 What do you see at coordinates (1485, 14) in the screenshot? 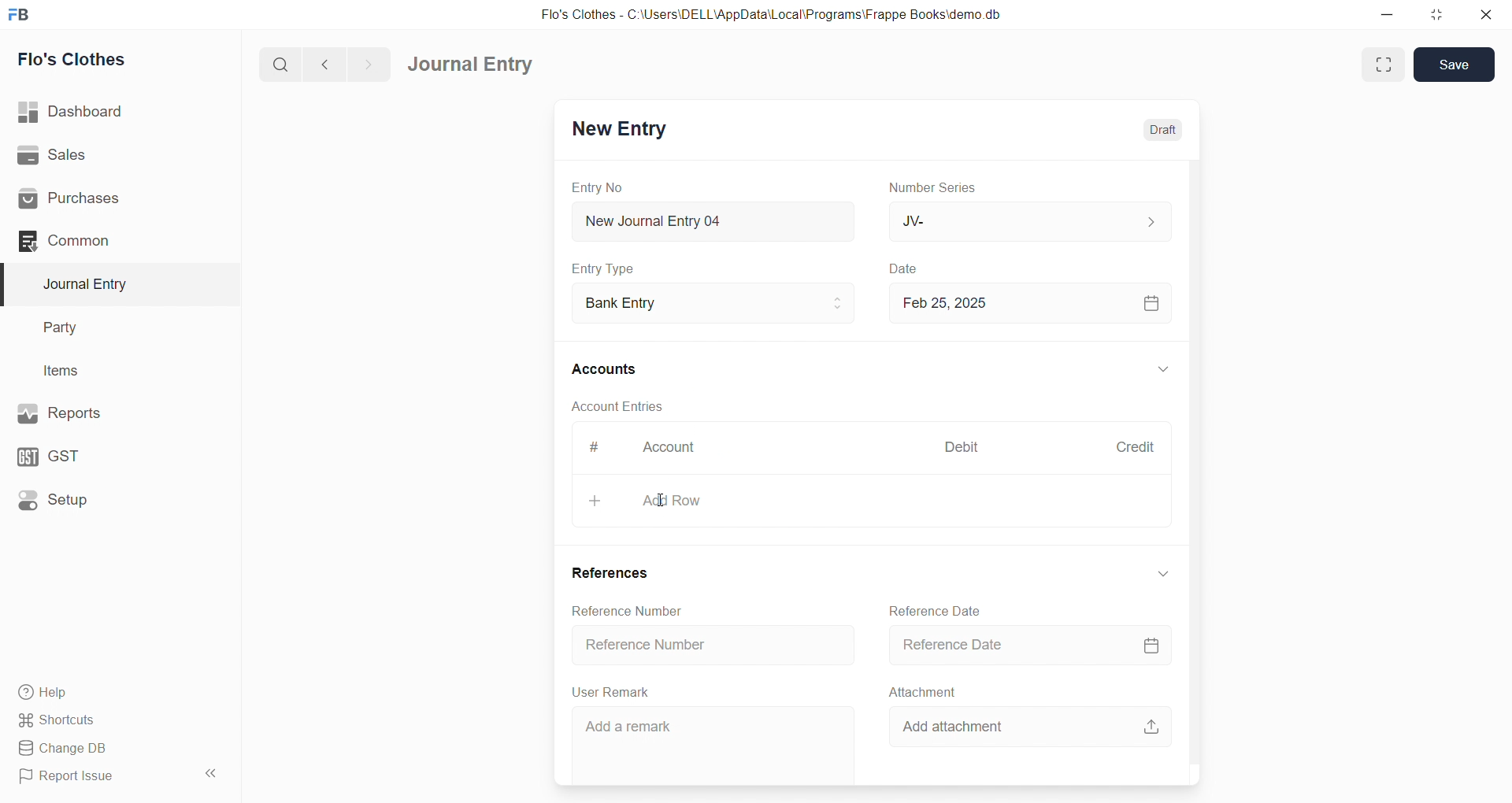
I see `close` at bounding box center [1485, 14].